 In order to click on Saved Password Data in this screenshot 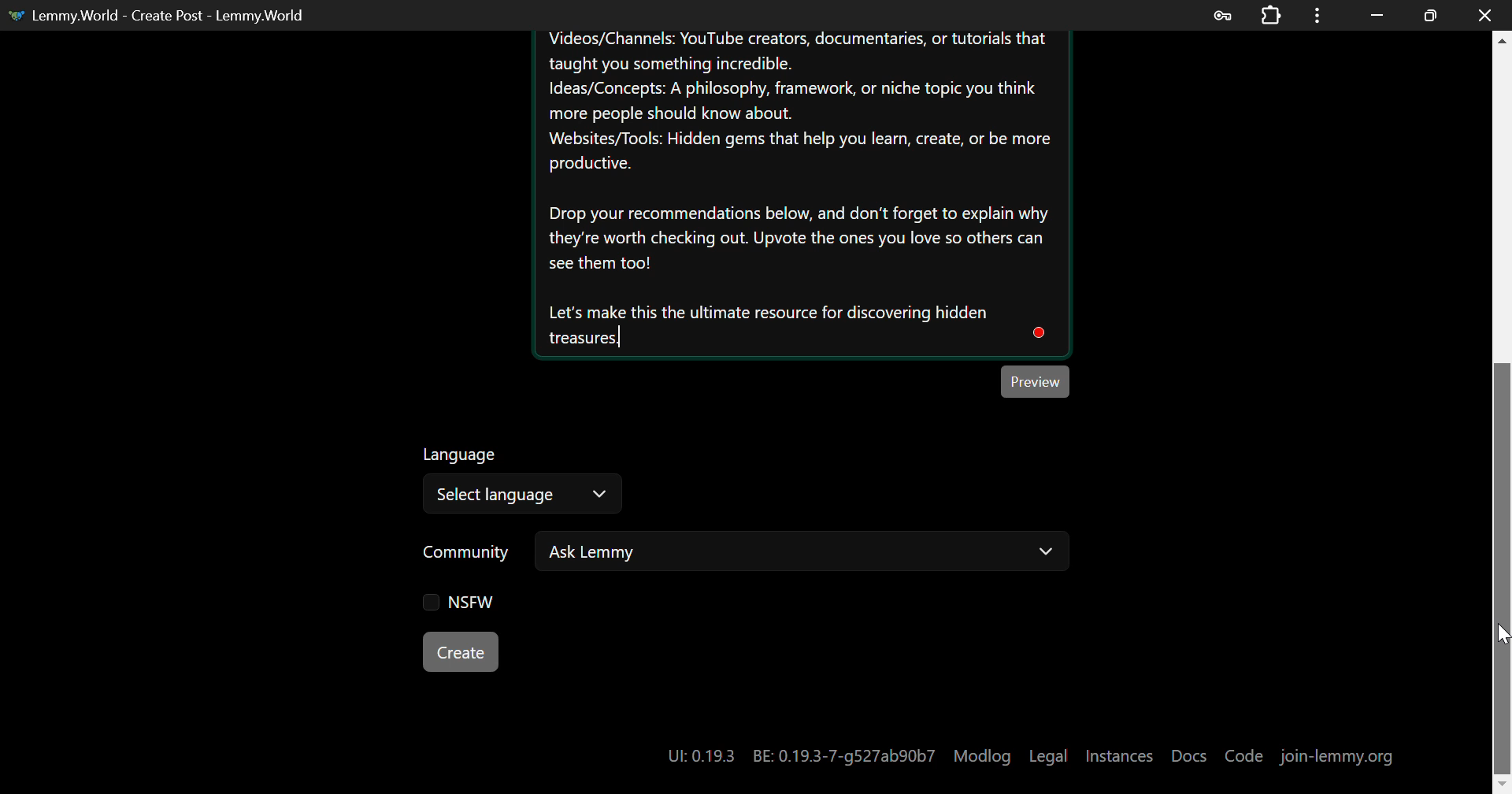, I will do `click(1221, 16)`.